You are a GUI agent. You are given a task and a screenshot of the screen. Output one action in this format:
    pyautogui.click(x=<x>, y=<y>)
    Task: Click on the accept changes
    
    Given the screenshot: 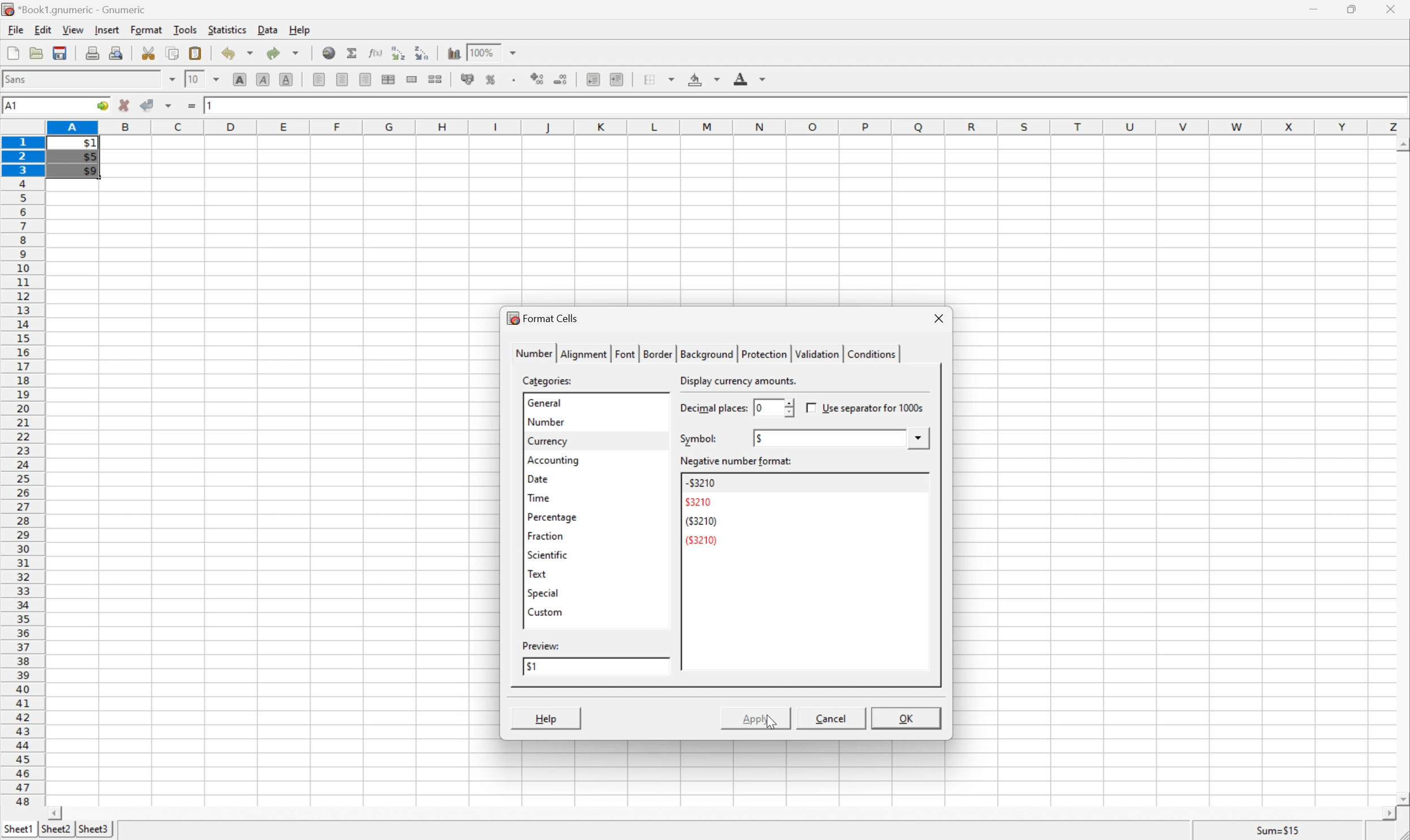 What is the action you would take?
    pyautogui.click(x=148, y=104)
    